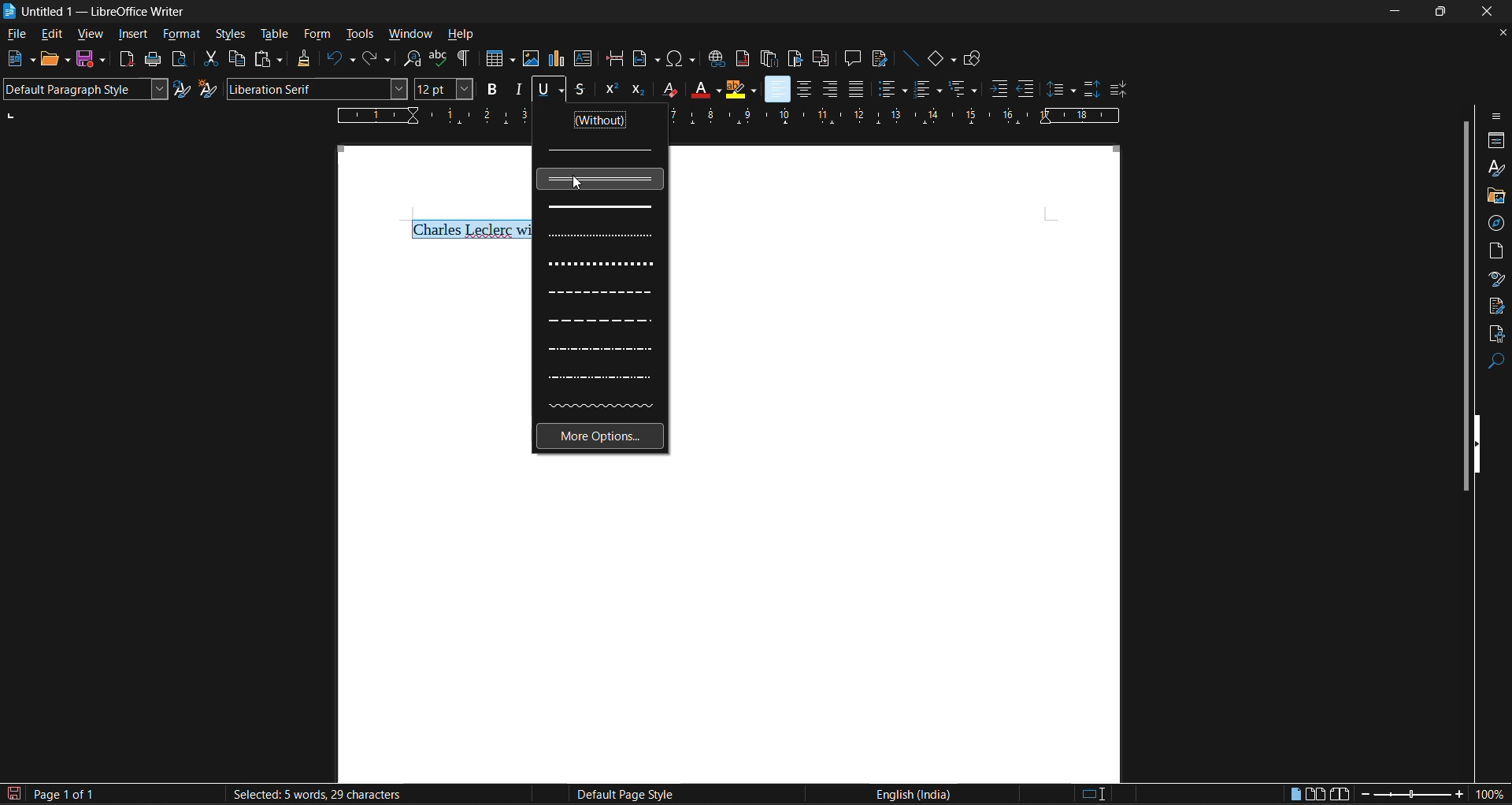 This screenshot has width=1512, height=805. Describe the element at coordinates (854, 88) in the screenshot. I see `justified` at that location.